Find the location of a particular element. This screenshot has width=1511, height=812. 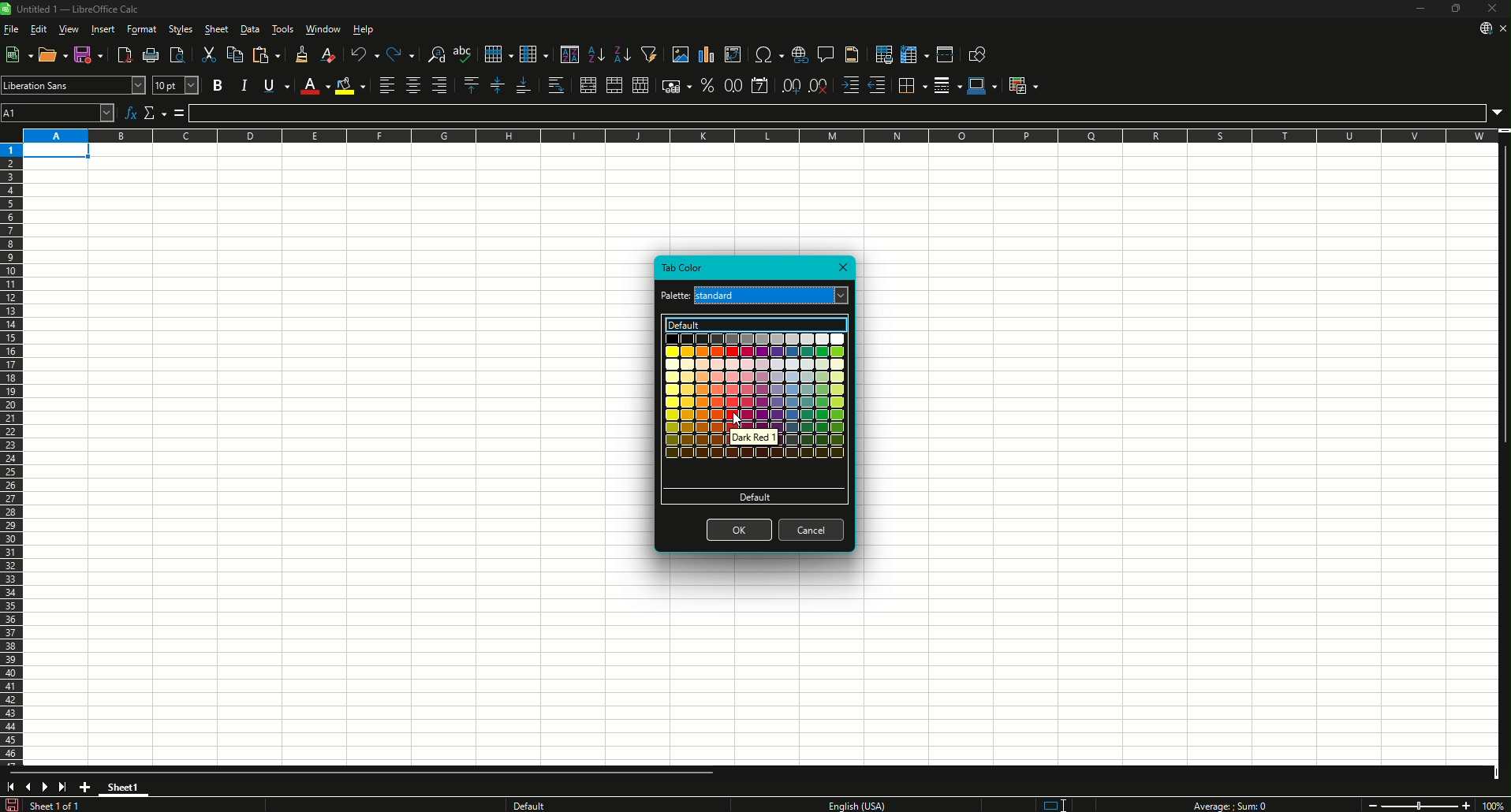

Define Print Area is located at coordinates (884, 54).